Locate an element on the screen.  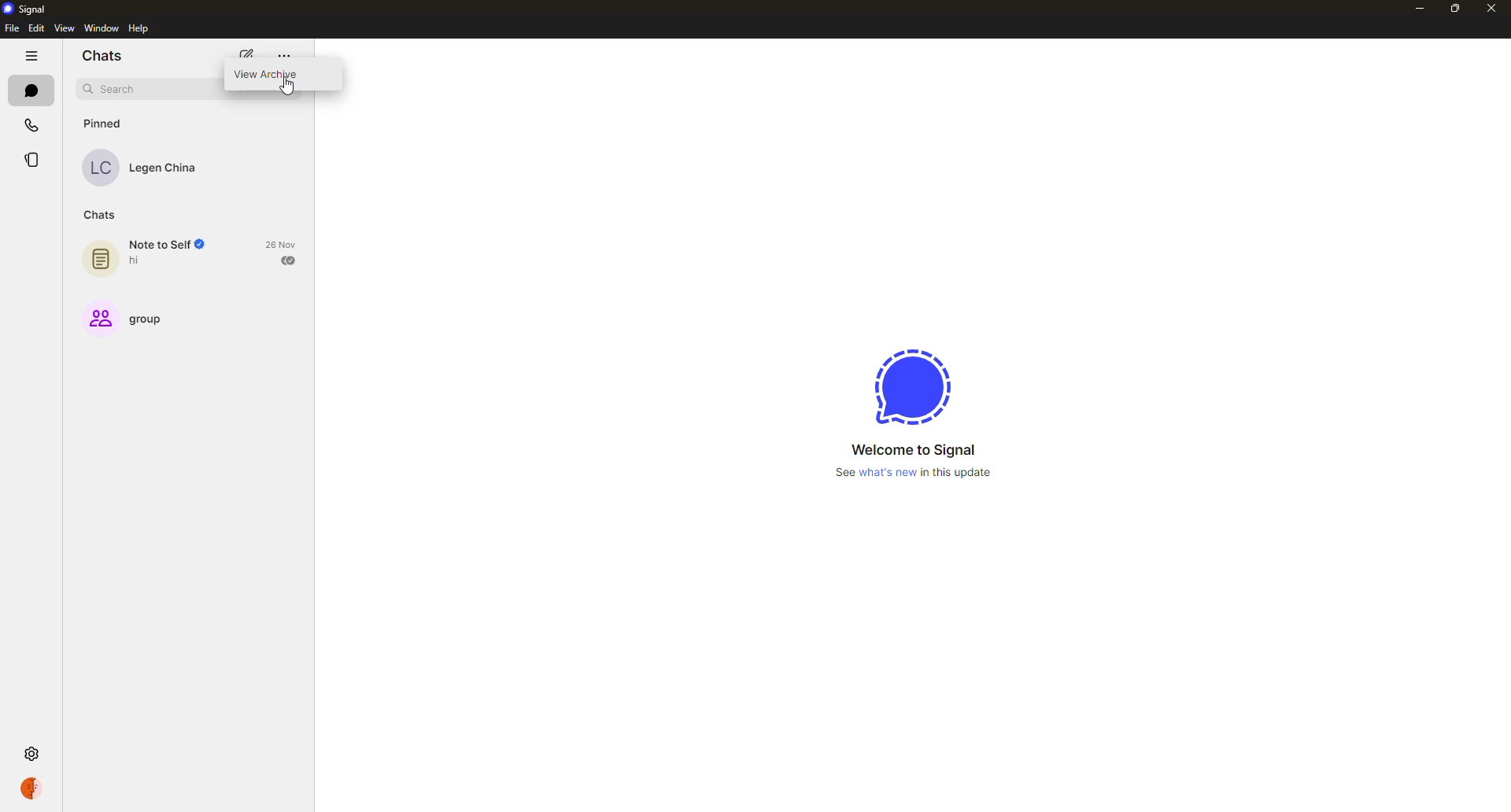
welcome to signal is located at coordinates (914, 449).